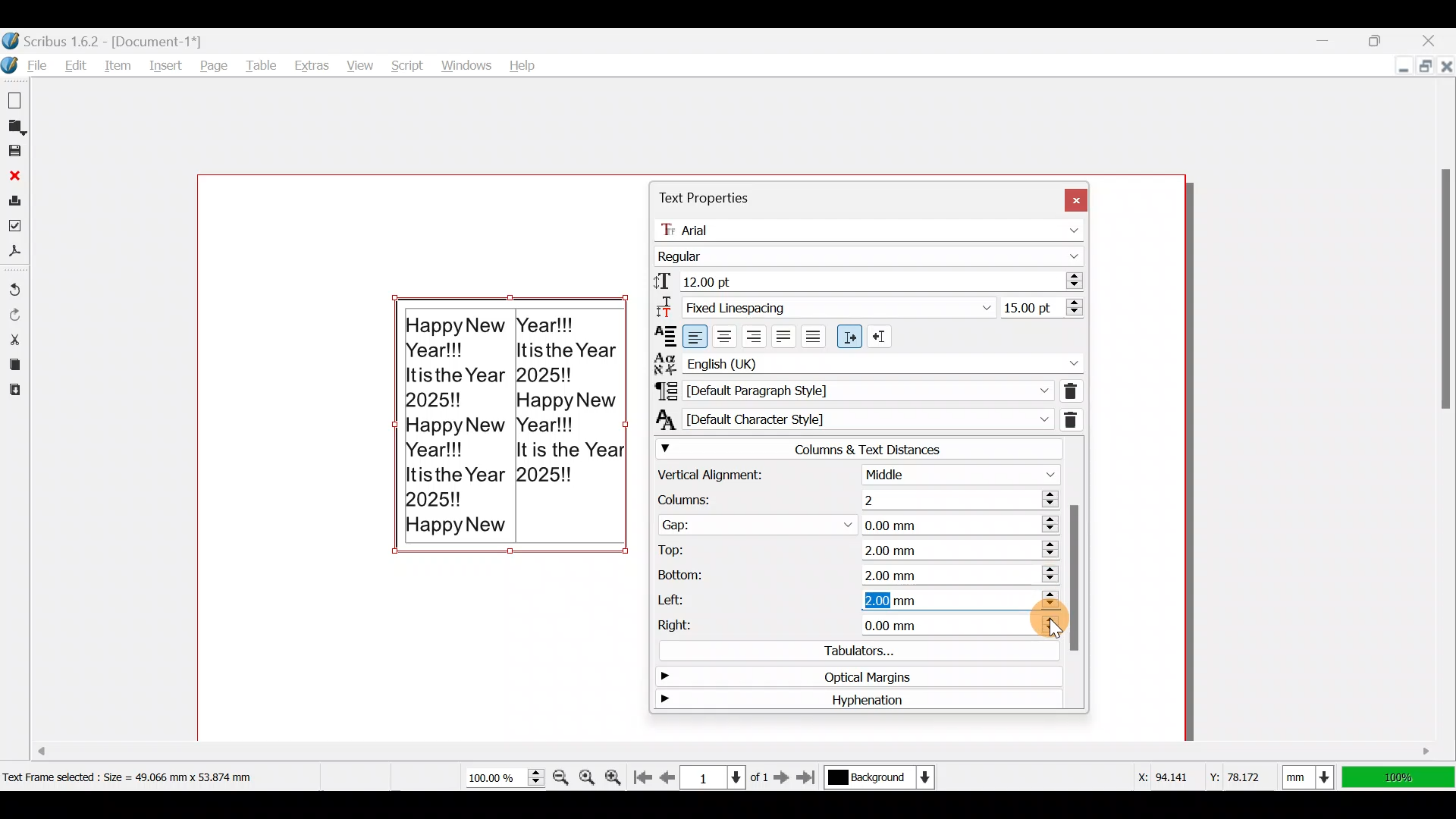 This screenshot has width=1456, height=819. Describe the element at coordinates (1391, 67) in the screenshot. I see `Minimize` at that location.